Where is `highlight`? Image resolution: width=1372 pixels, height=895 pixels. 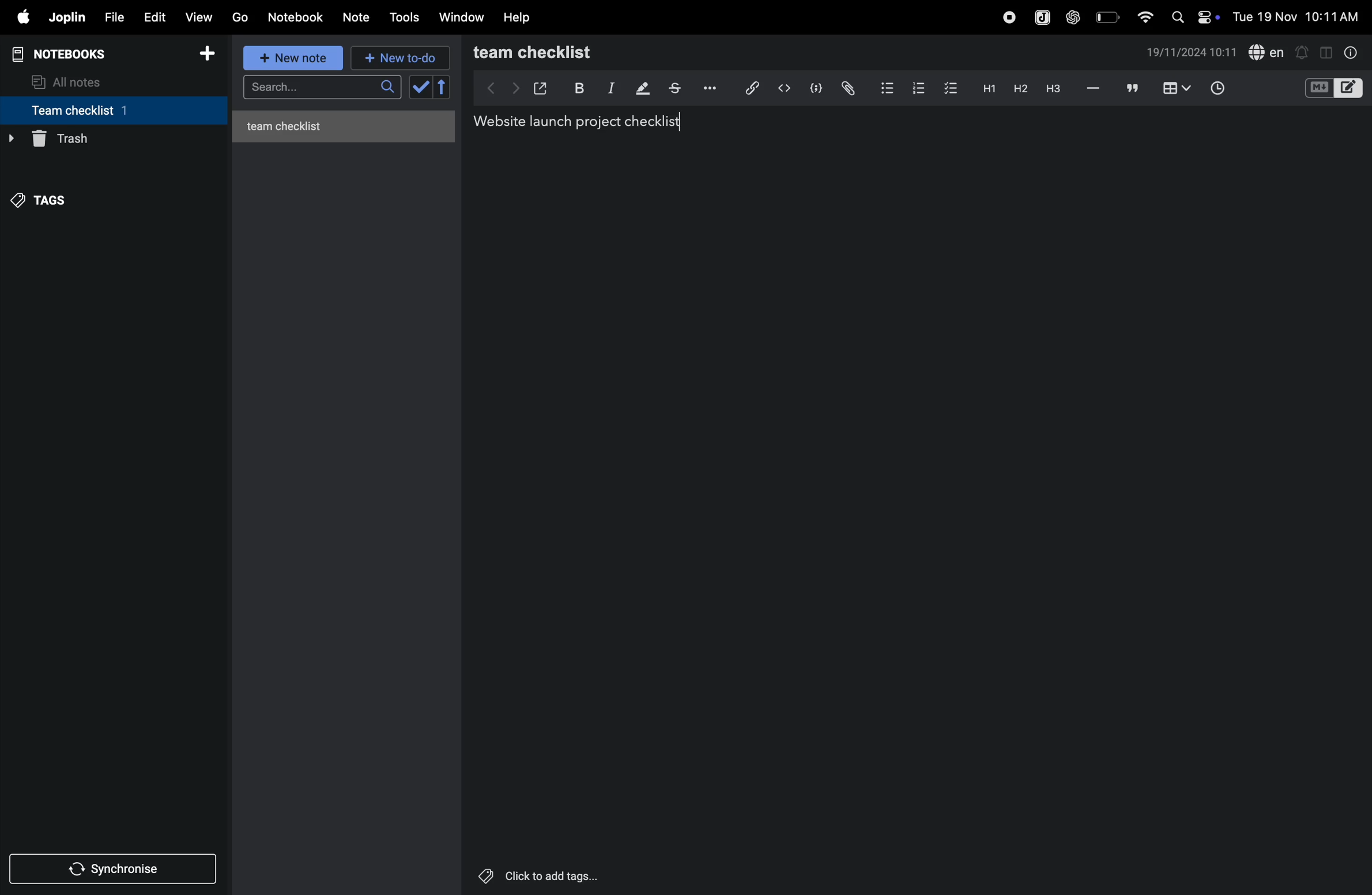 highlight is located at coordinates (641, 89).